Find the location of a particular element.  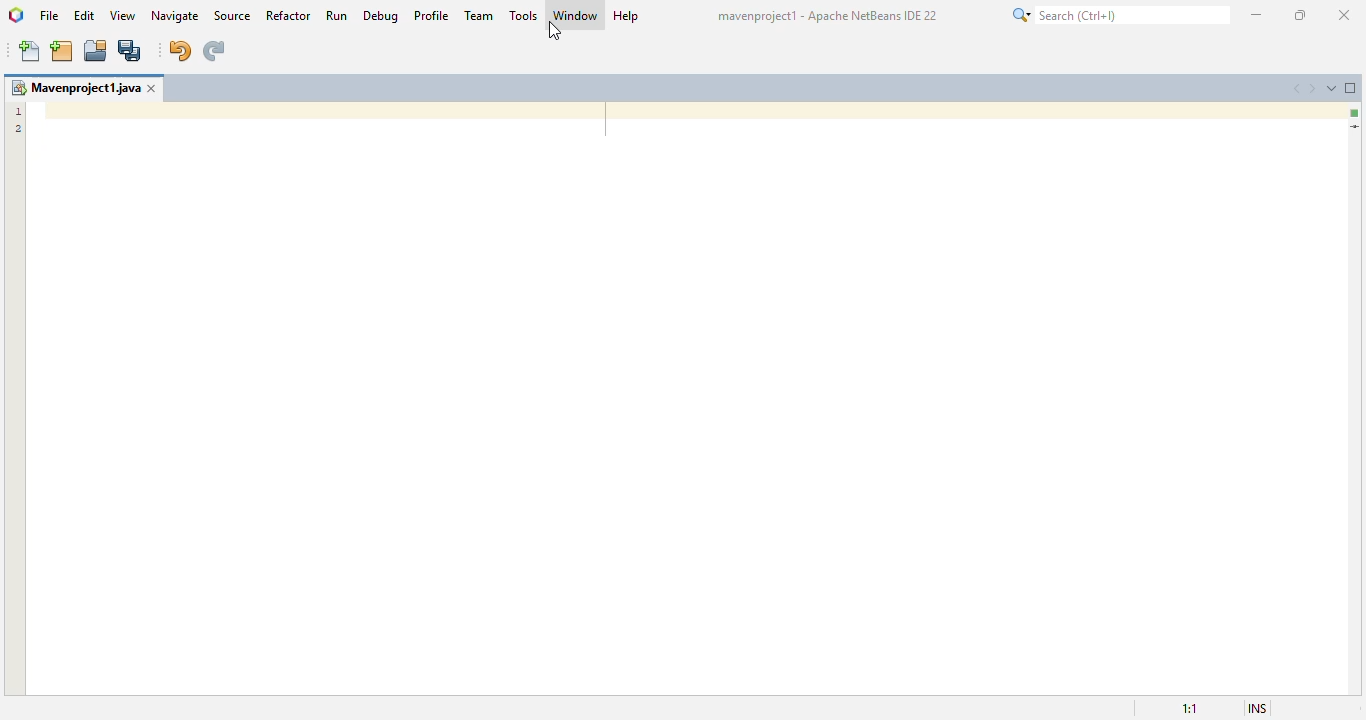

close is located at coordinates (1343, 16).